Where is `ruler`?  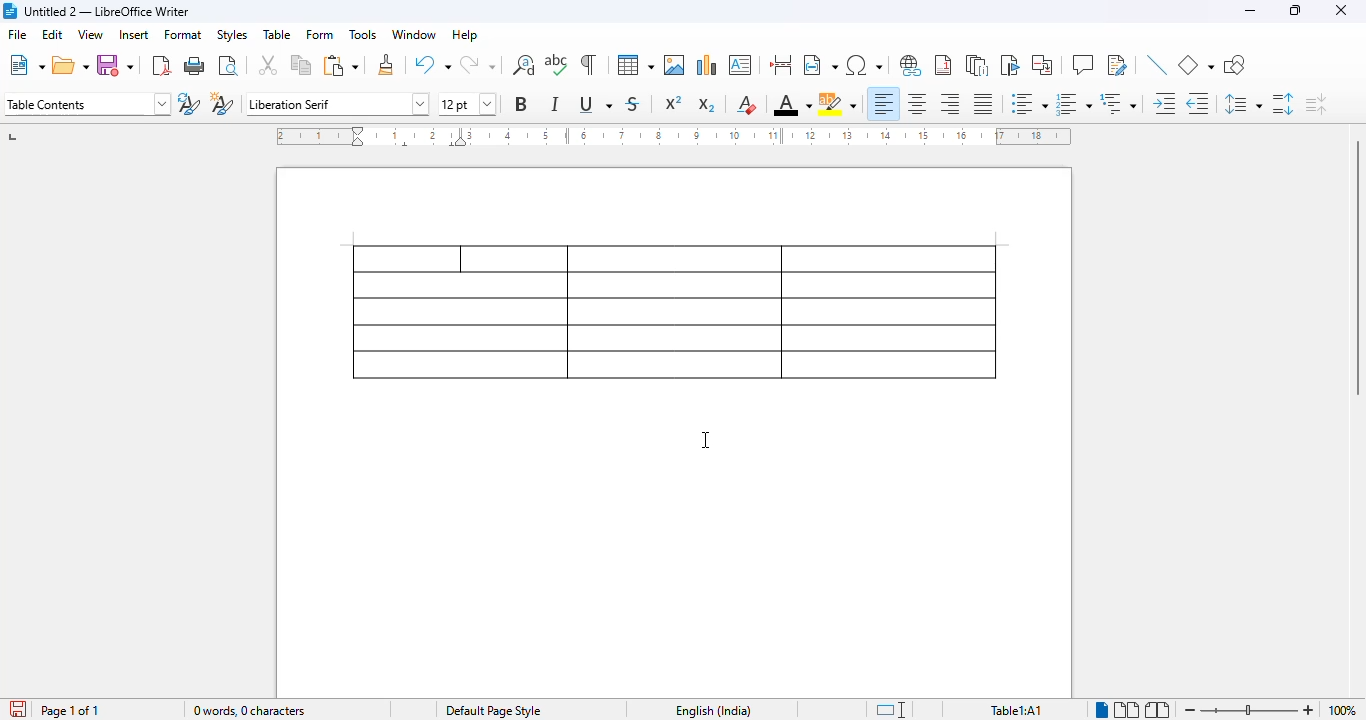
ruler is located at coordinates (673, 136).